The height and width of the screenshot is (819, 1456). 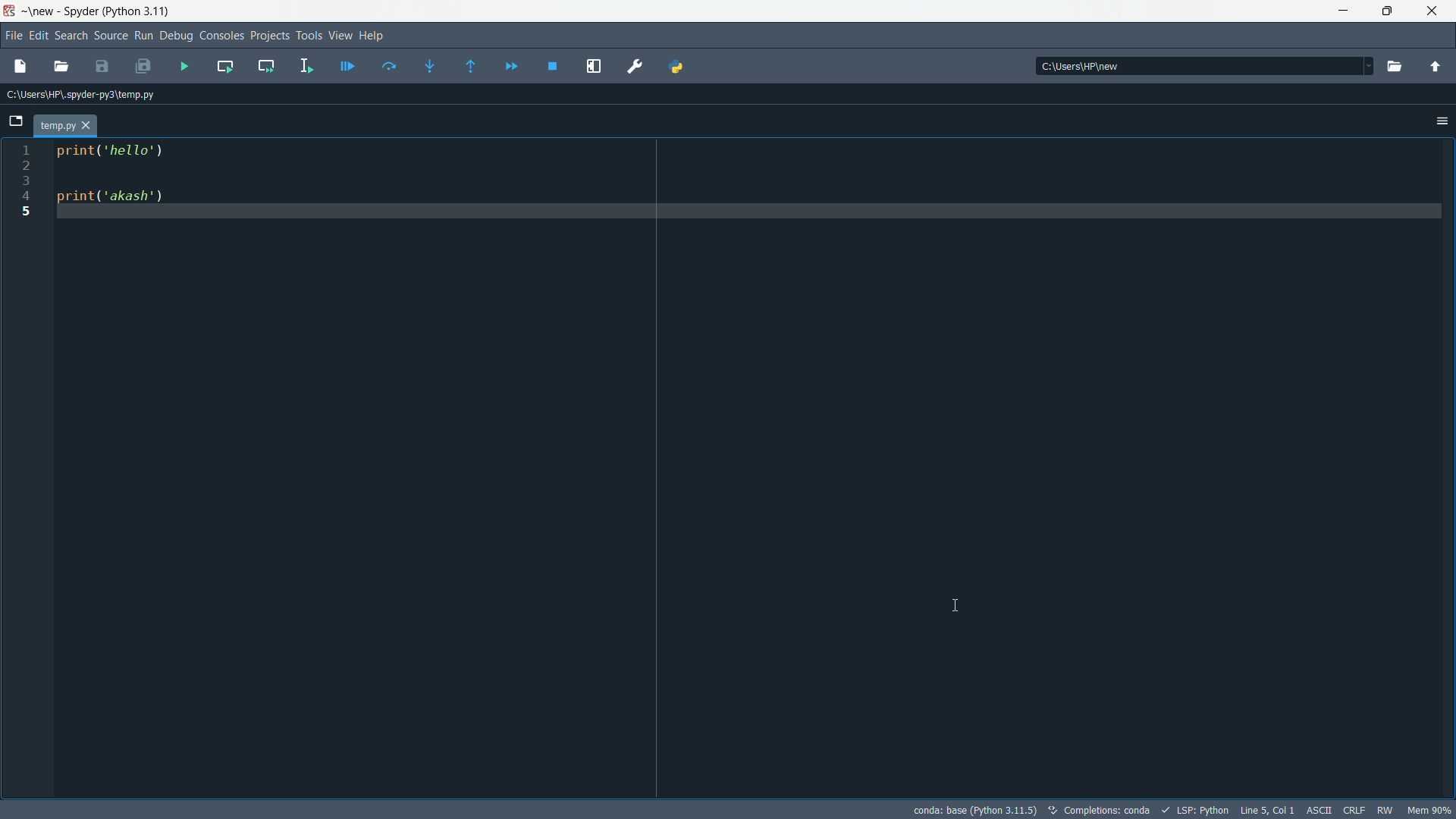 I want to click on tools menu, so click(x=309, y=35).